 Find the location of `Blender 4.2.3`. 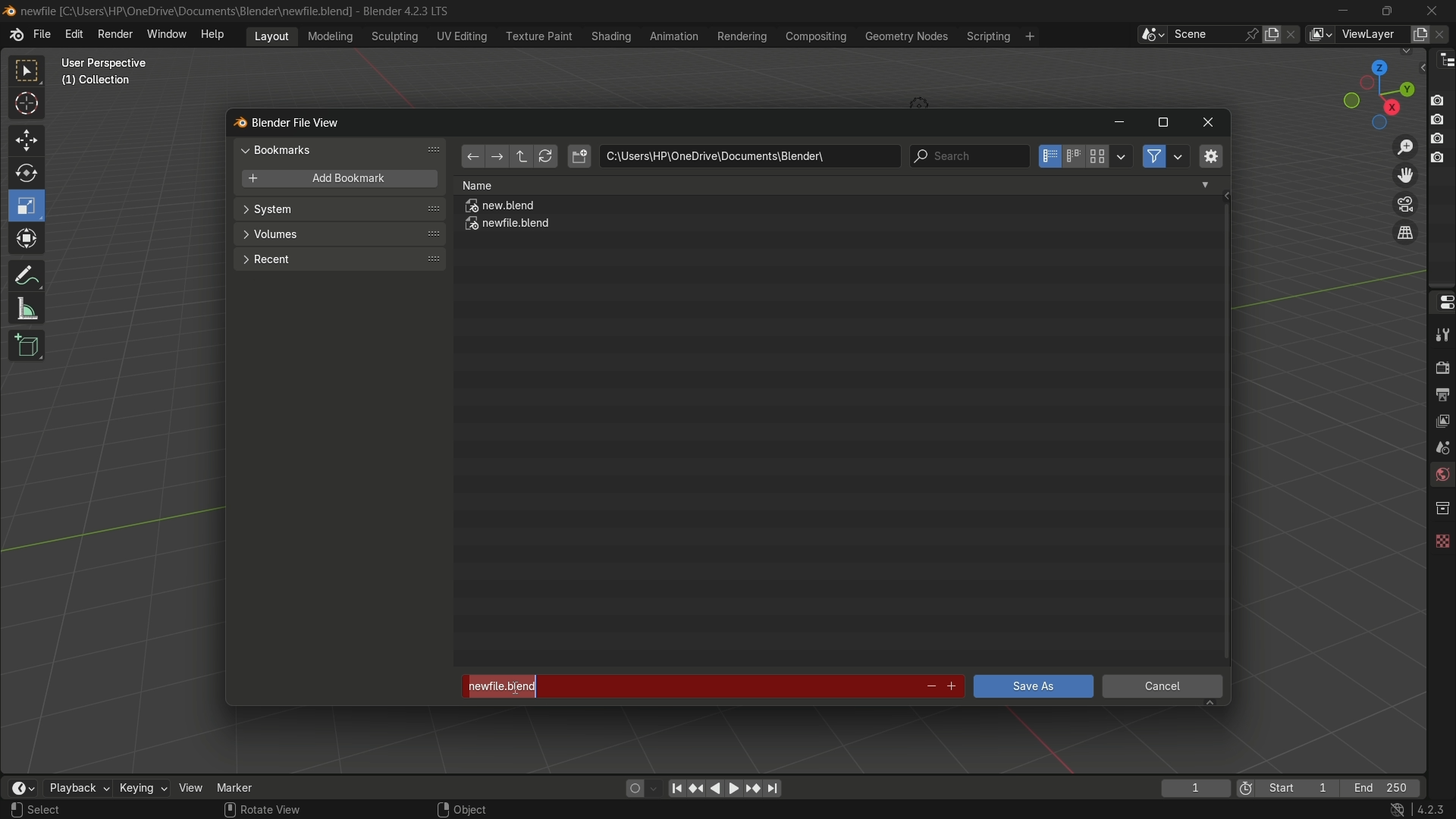

Blender 4.2.3 is located at coordinates (402, 11).